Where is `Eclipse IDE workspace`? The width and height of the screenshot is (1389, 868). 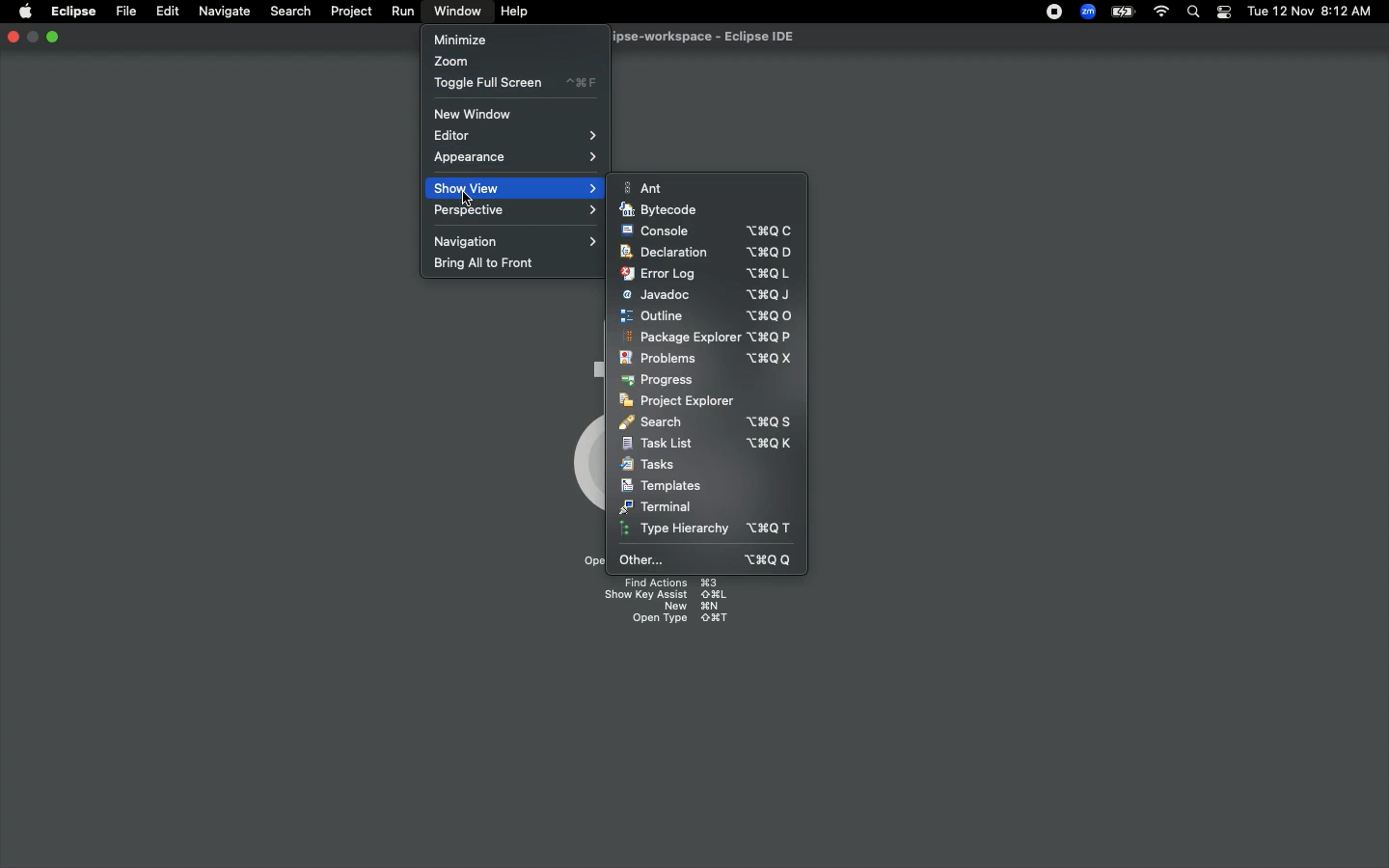
Eclipse IDE workspace is located at coordinates (712, 37).